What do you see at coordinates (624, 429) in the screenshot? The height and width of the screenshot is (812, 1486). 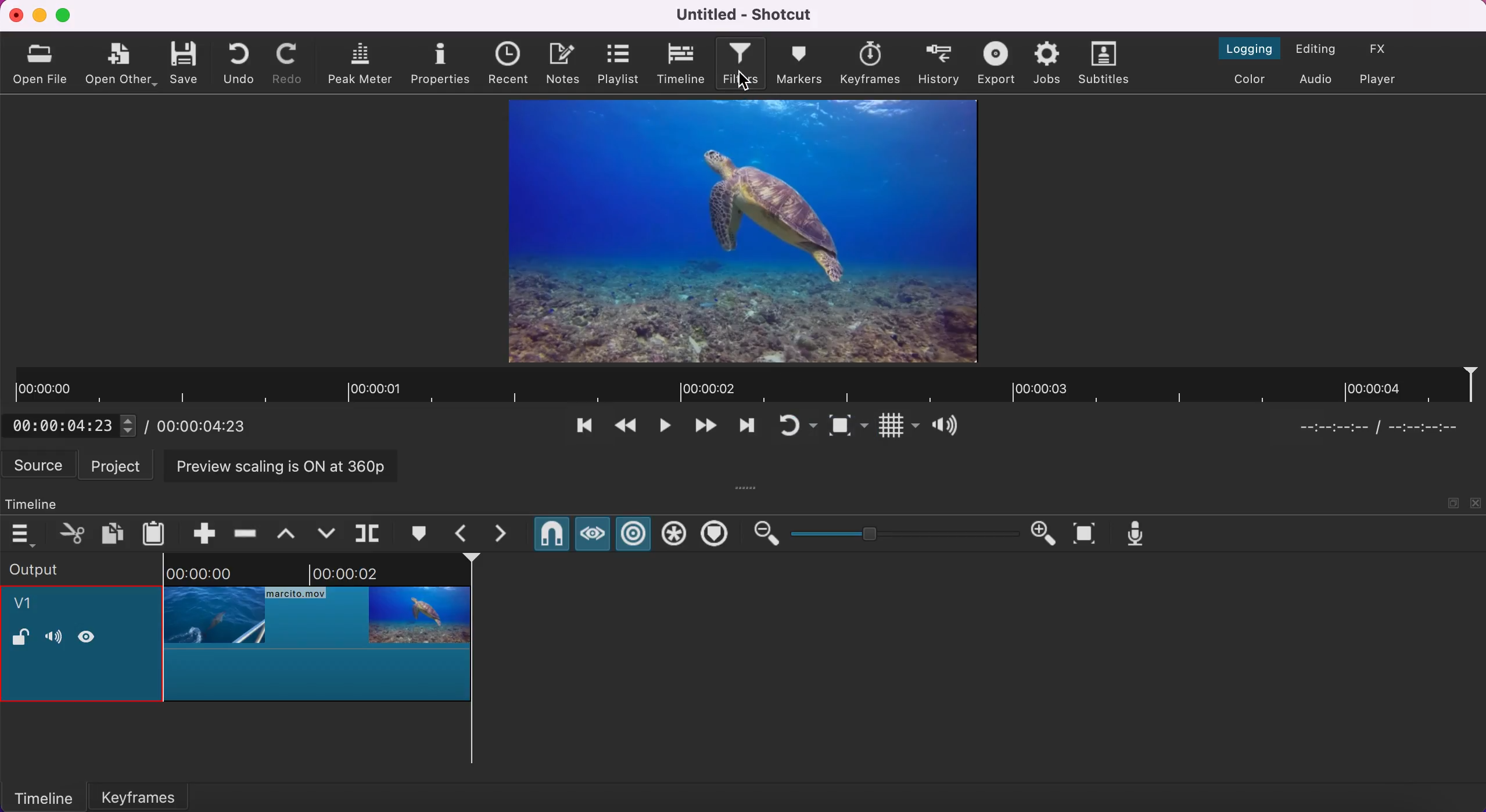 I see `play quickly backwards` at bounding box center [624, 429].